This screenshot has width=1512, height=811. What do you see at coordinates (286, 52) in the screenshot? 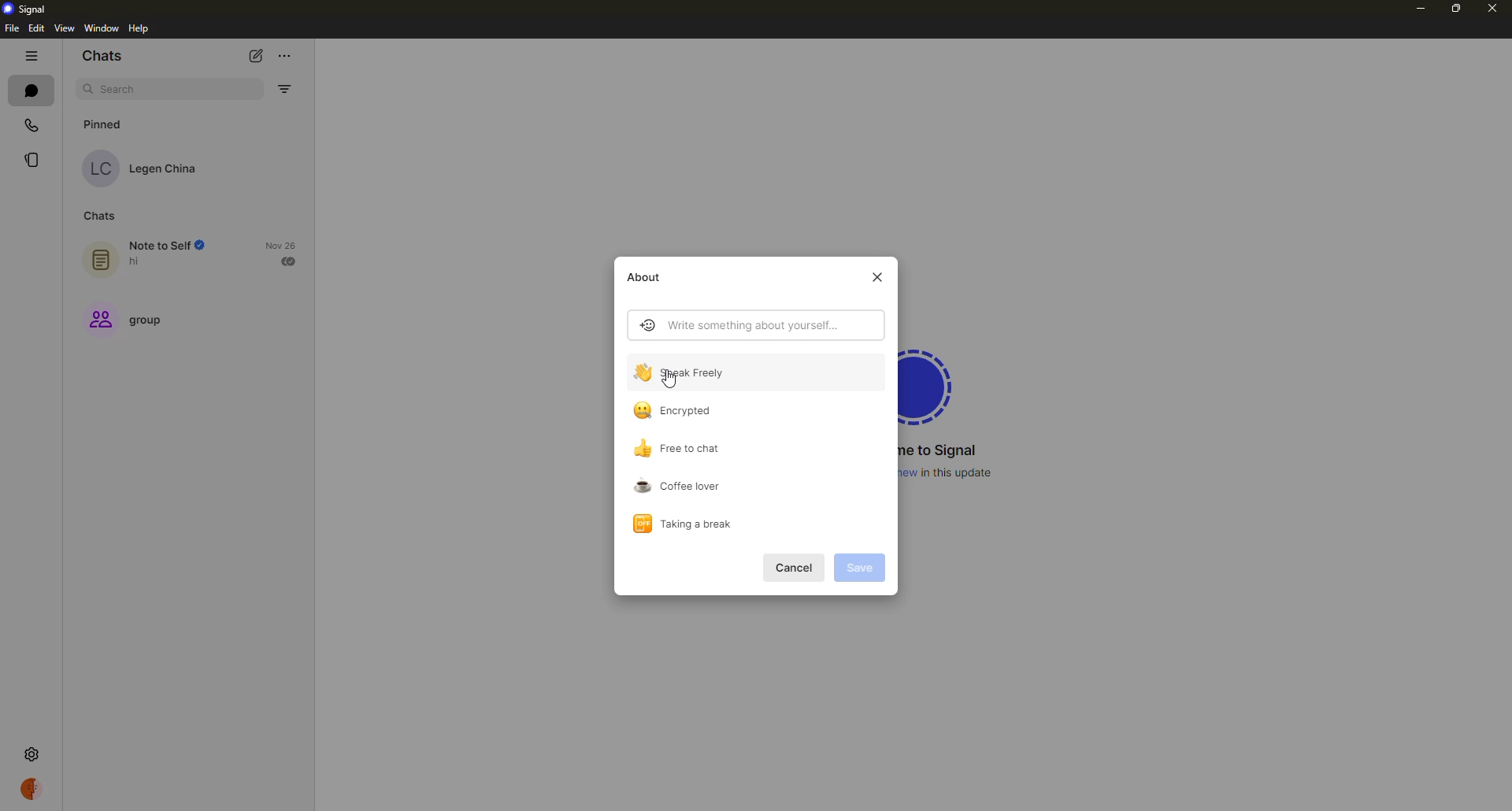
I see `more` at bounding box center [286, 52].